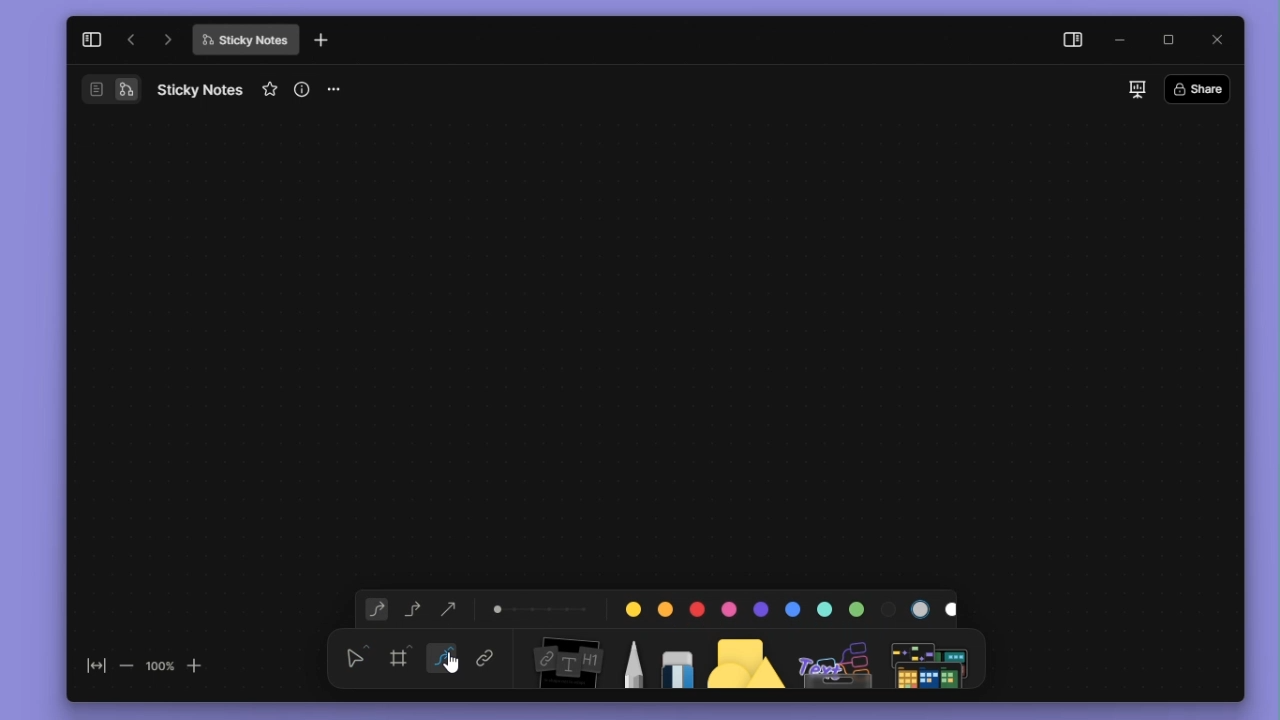  What do you see at coordinates (321, 41) in the screenshot?
I see `new tab` at bounding box center [321, 41].